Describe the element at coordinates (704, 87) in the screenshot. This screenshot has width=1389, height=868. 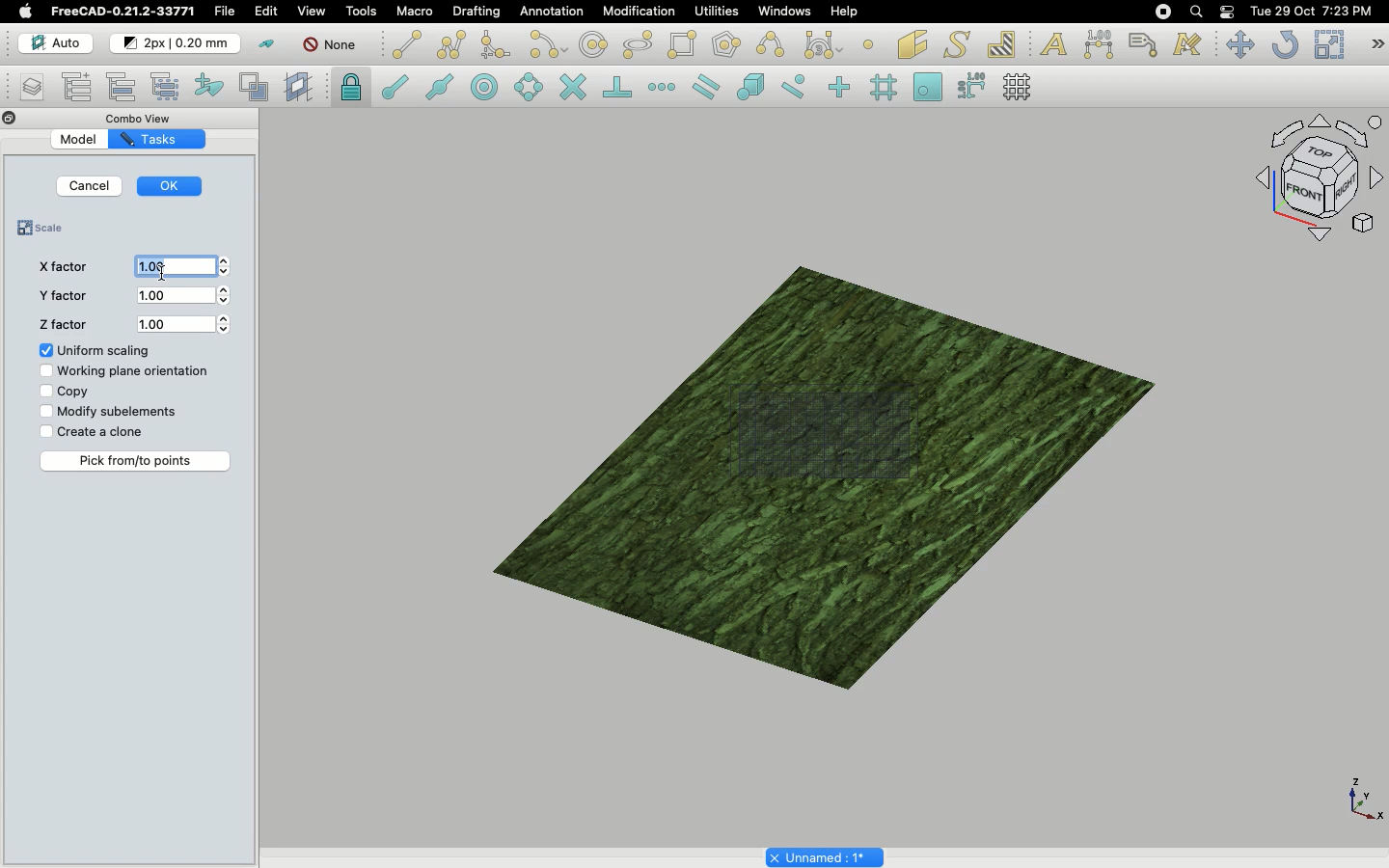
I see `Snap parallel` at that location.